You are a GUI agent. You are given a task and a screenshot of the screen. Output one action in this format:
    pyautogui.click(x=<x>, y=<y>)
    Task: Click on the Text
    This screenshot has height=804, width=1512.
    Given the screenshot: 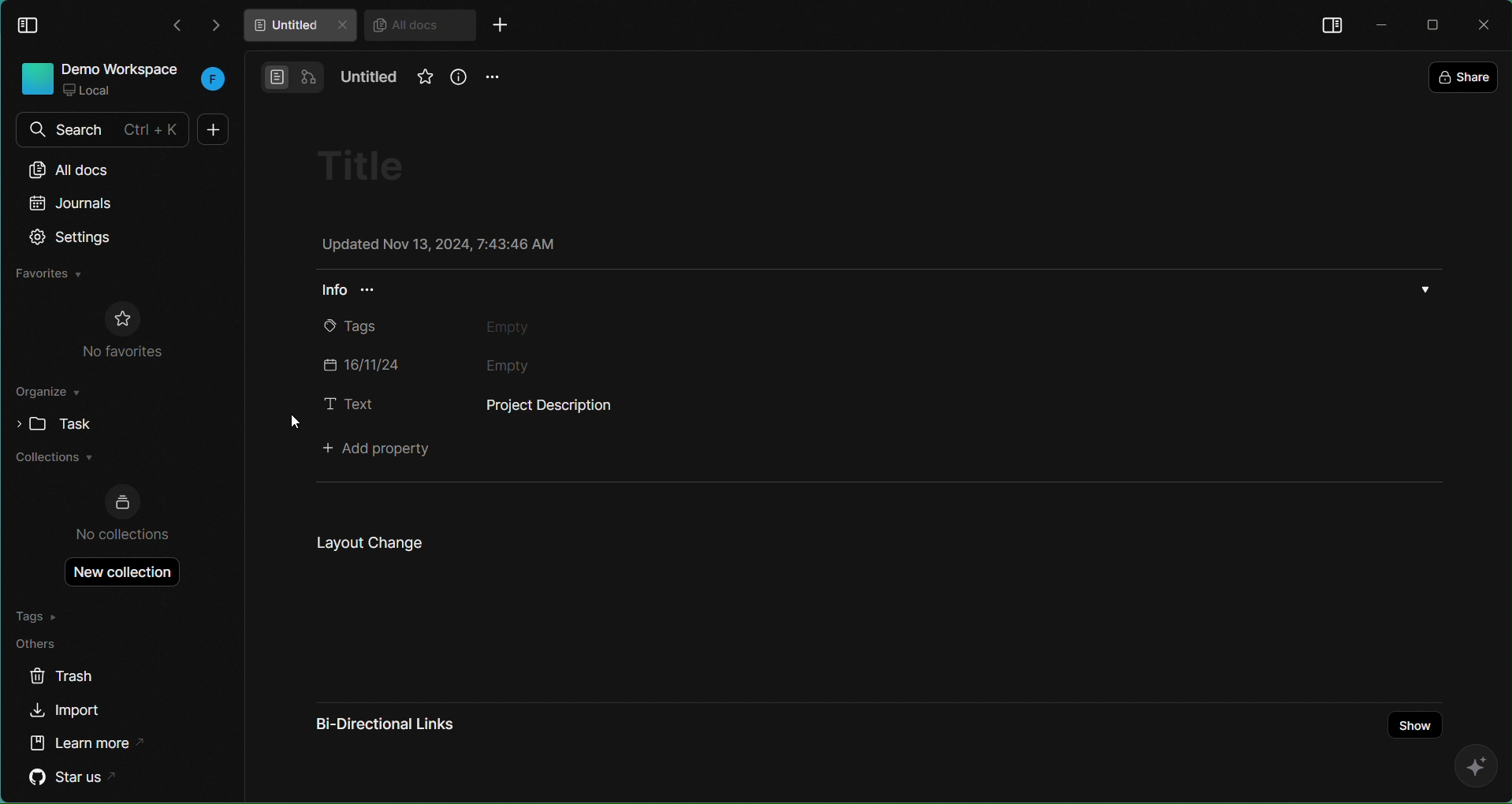 What is the action you would take?
    pyautogui.click(x=348, y=404)
    